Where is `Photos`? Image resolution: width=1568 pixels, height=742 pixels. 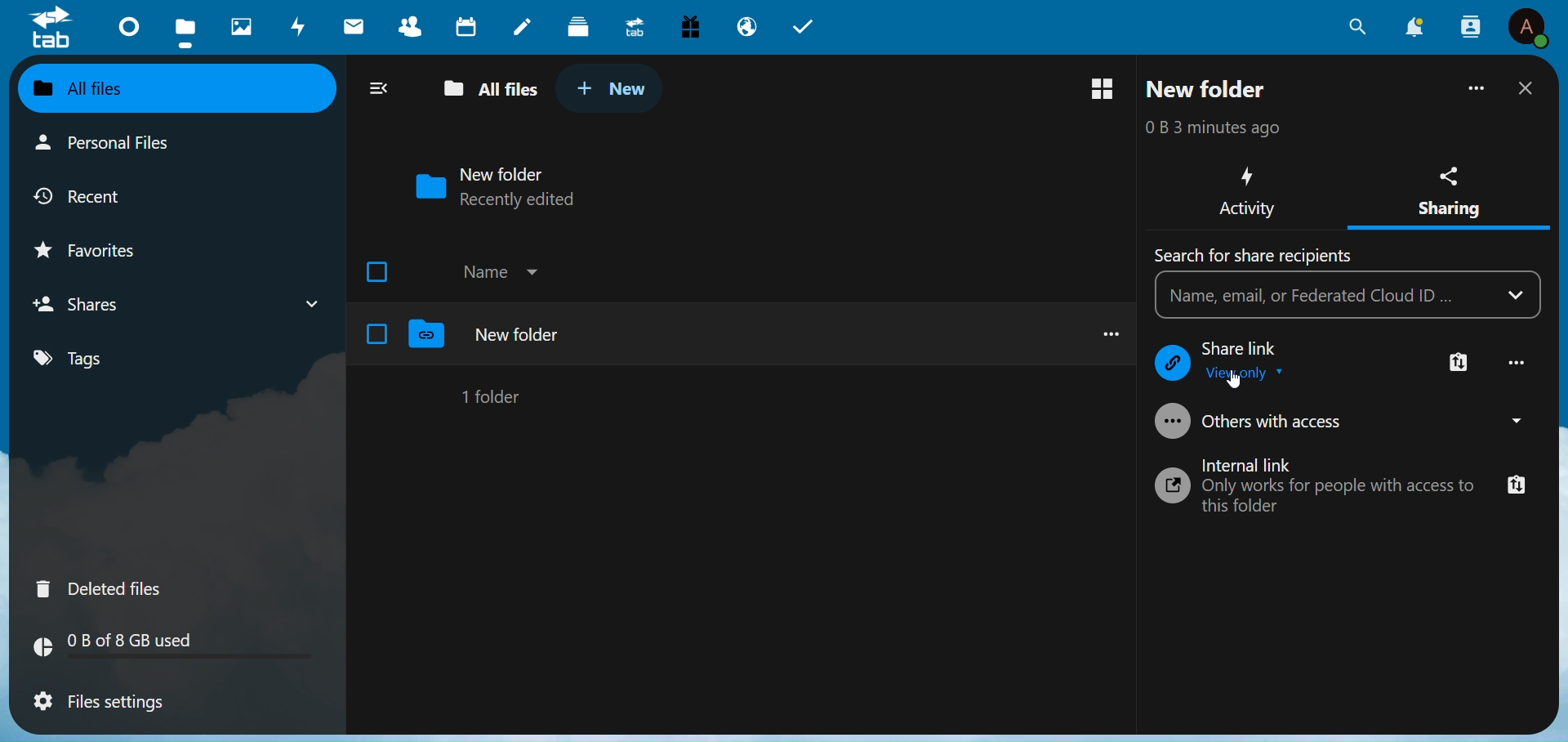 Photos is located at coordinates (236, 23).